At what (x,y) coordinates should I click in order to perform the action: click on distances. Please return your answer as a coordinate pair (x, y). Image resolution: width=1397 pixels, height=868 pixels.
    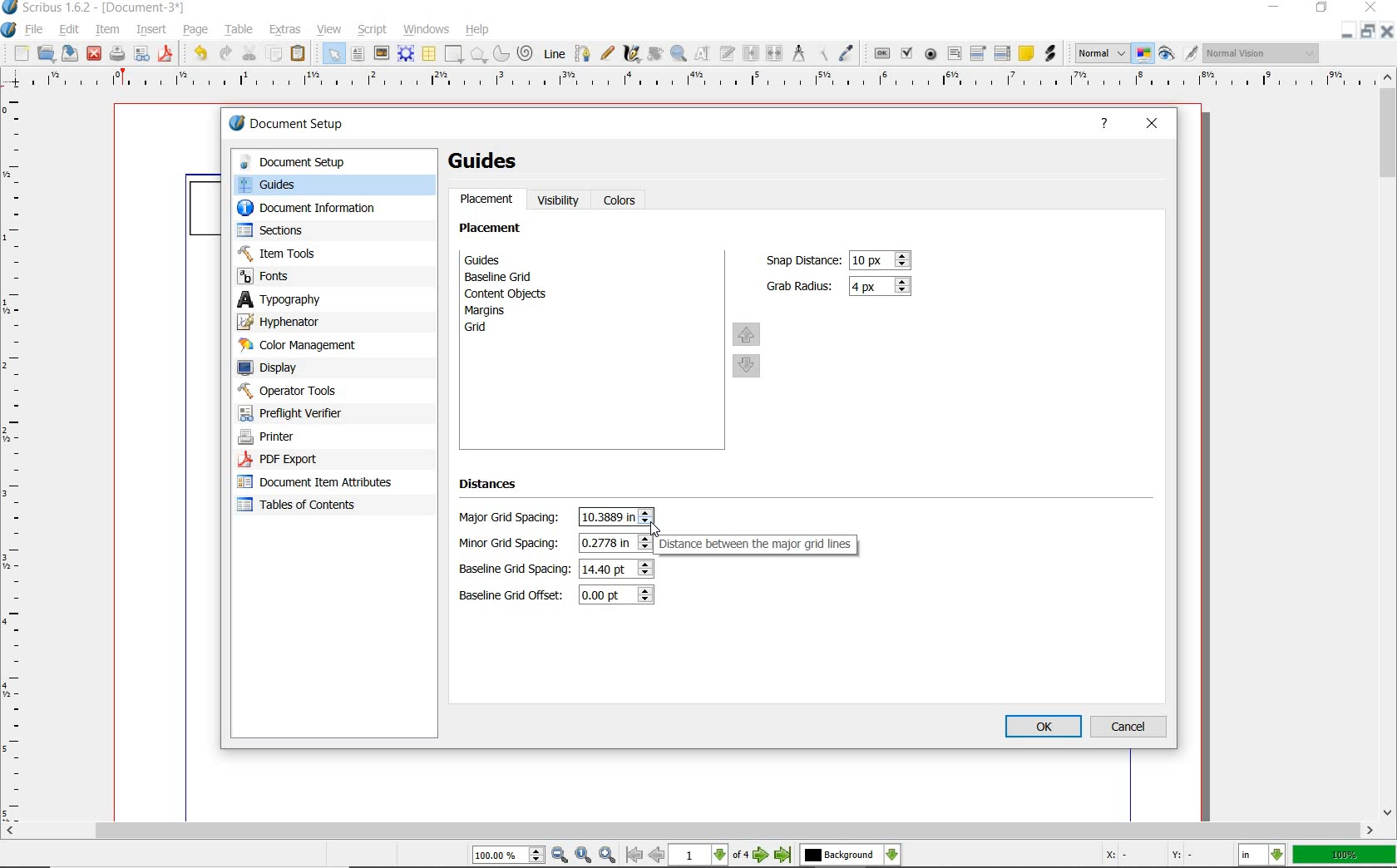
    Looking at the image, I should click on (496, 487).